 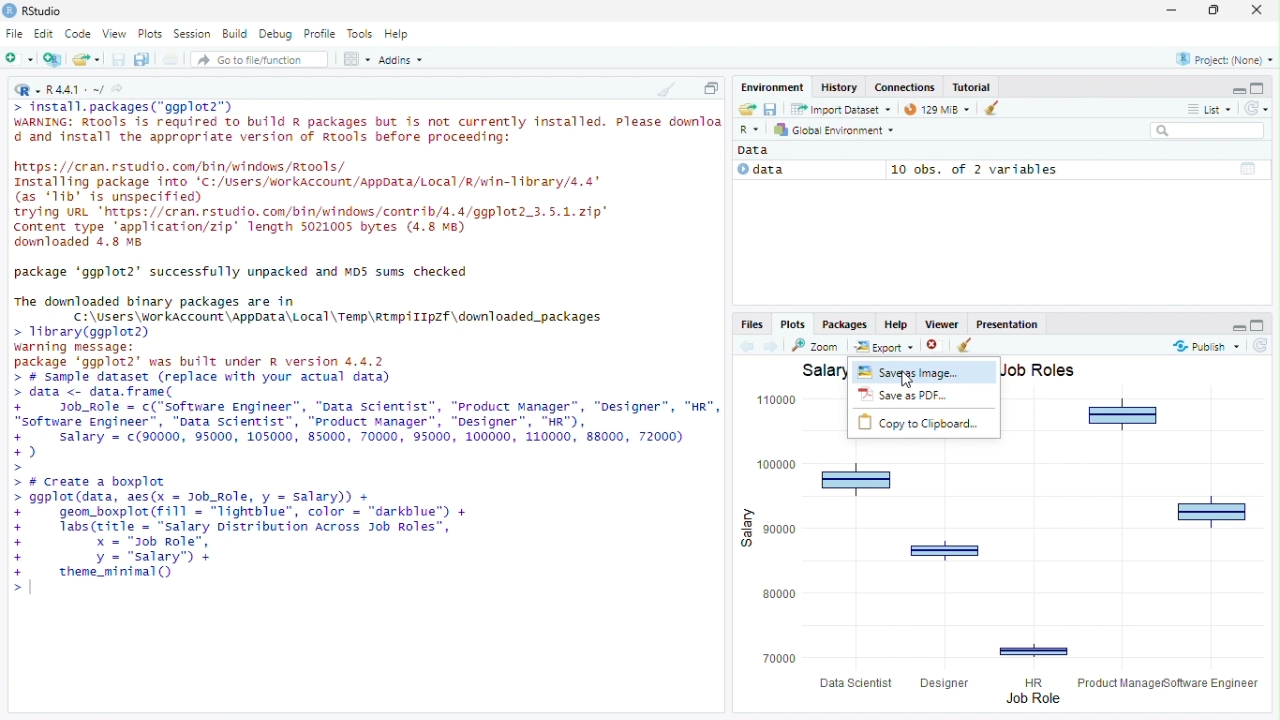 I want to click on plots, so click(x=793, y=323).